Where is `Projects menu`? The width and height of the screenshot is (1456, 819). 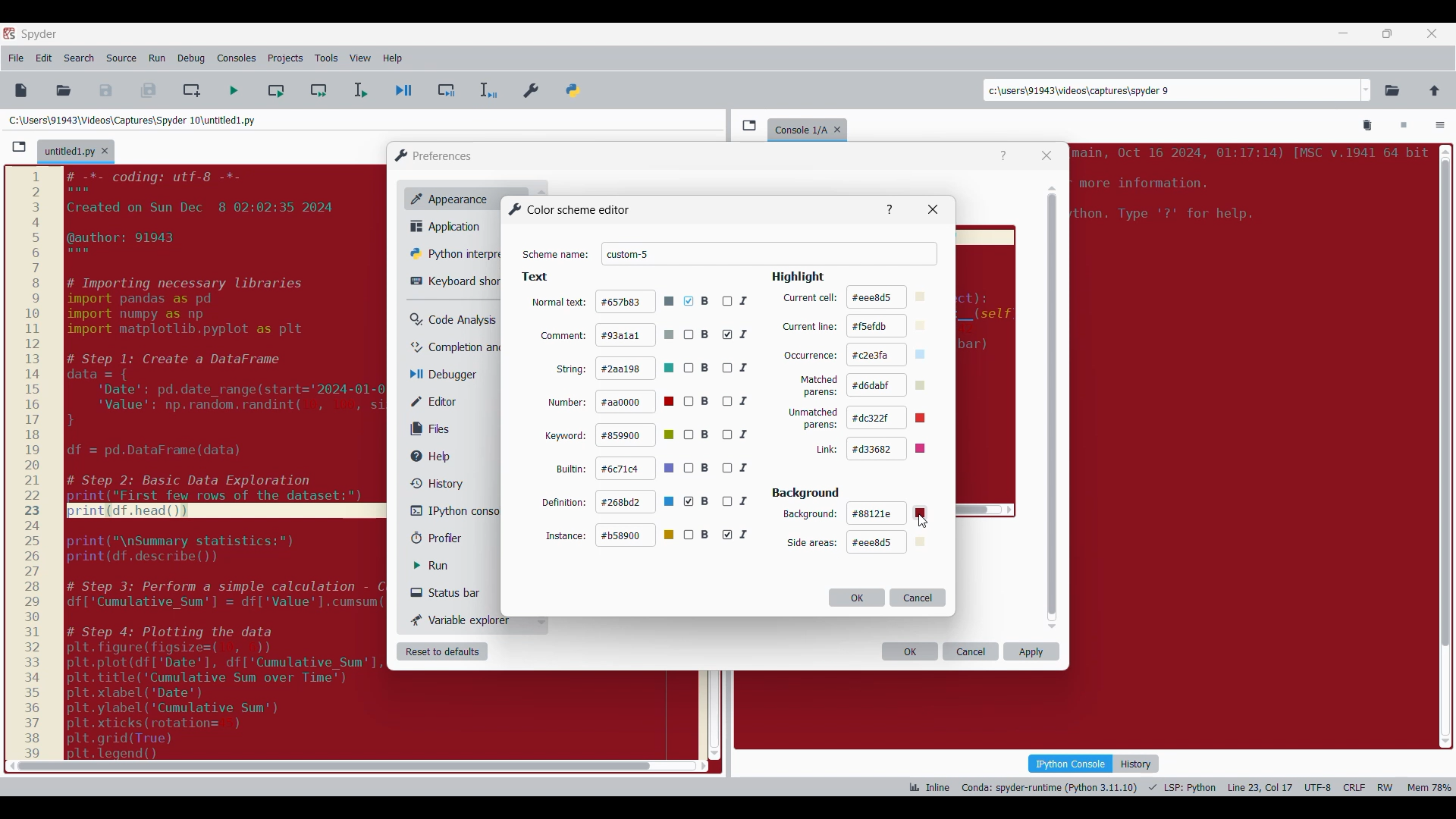 Projects menu is located at coordinates (285, 58).